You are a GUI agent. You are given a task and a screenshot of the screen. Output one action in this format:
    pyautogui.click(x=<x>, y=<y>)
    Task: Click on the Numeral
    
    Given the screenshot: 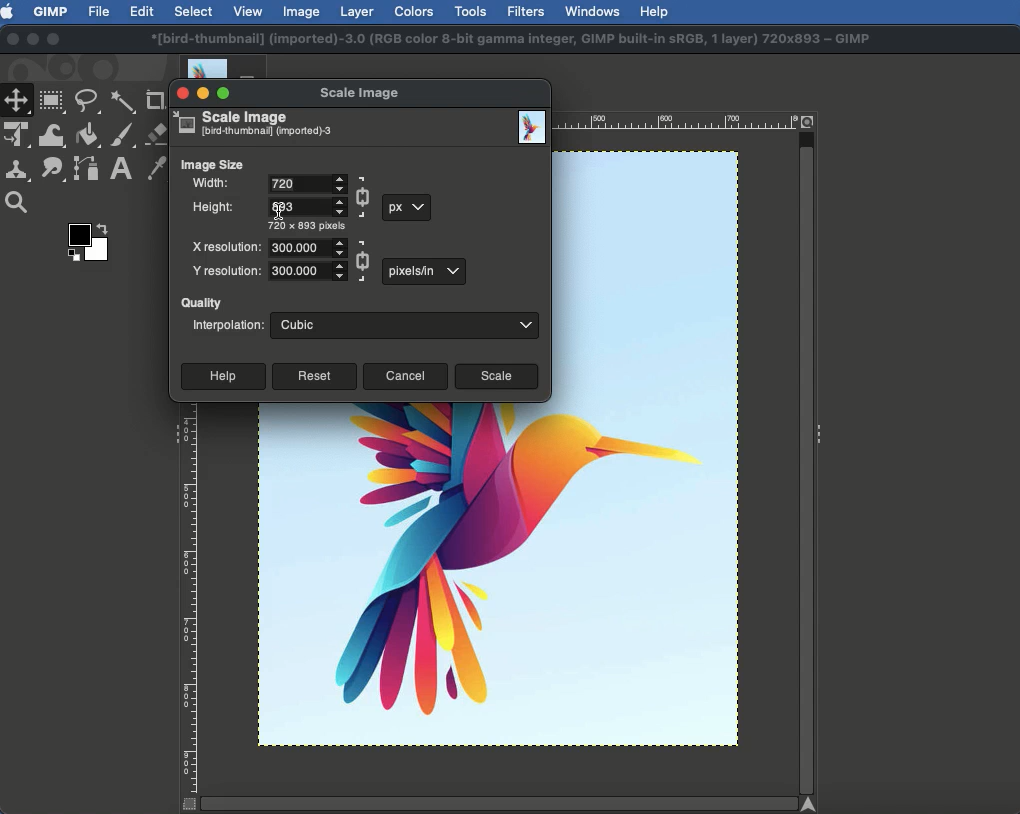 What is the action you would take?
    pyautogui.click(x=306, y=272)
    